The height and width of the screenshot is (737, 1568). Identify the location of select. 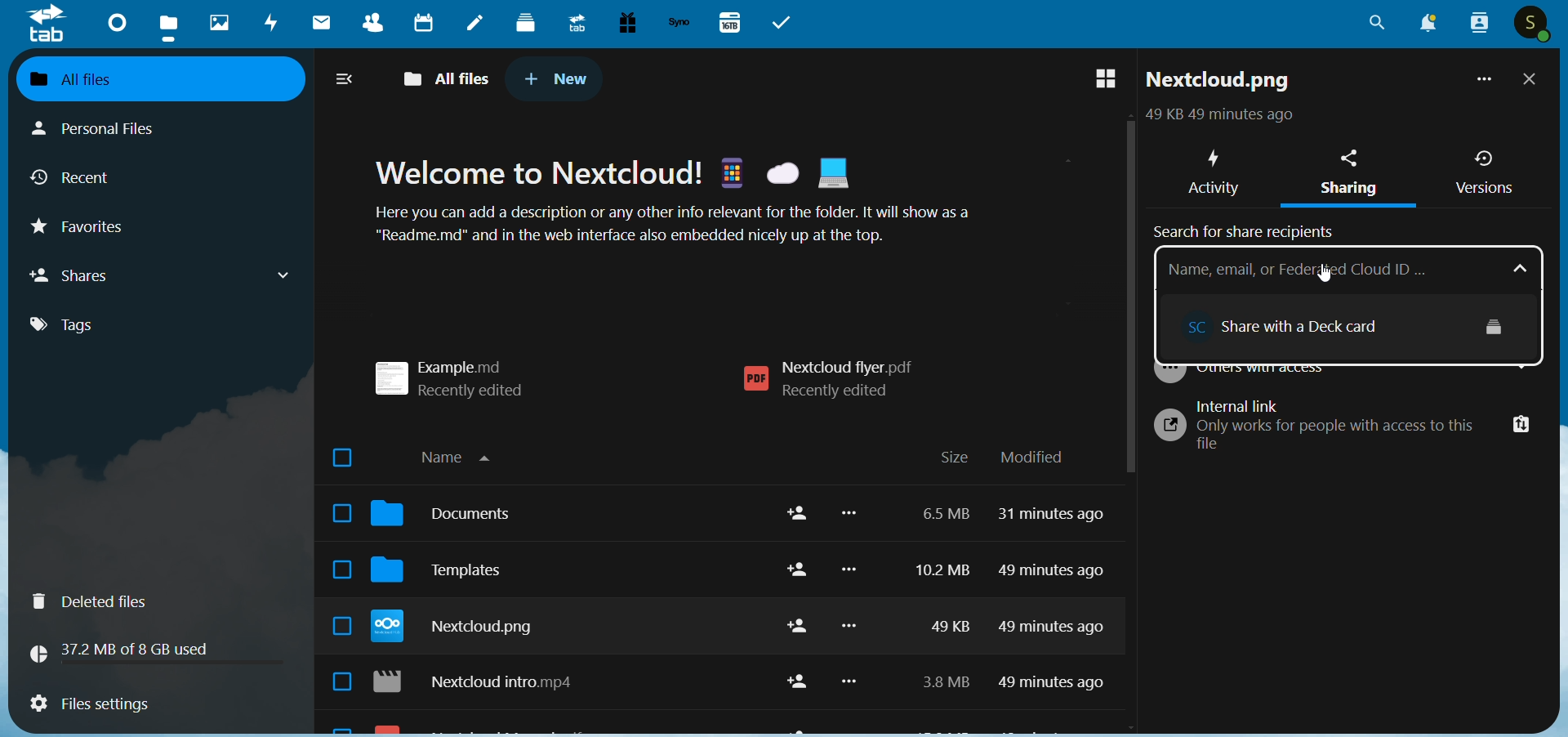
(335, 572).